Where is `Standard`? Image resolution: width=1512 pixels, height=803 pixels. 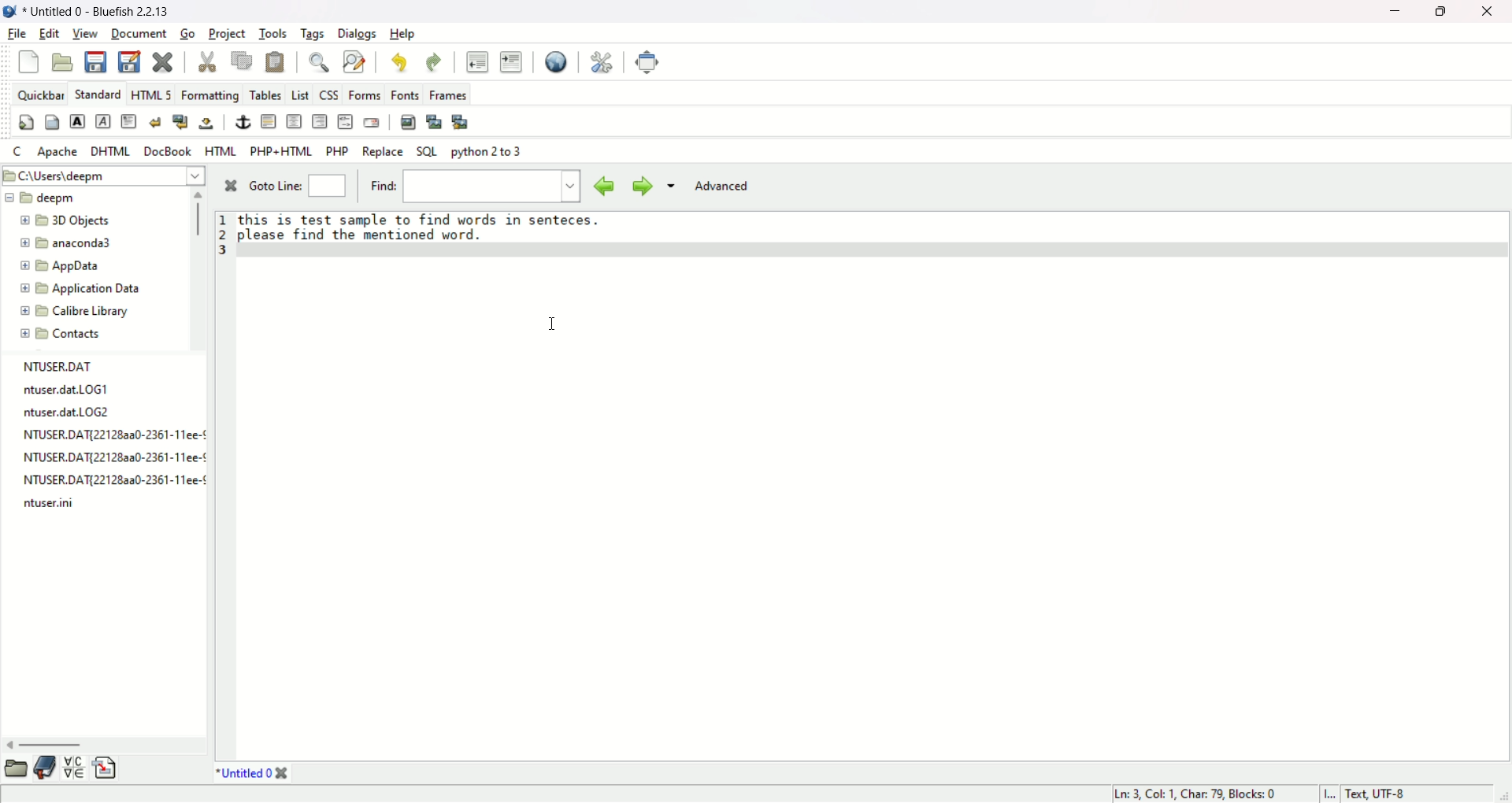
Standard is located at coordinates (98, 93).